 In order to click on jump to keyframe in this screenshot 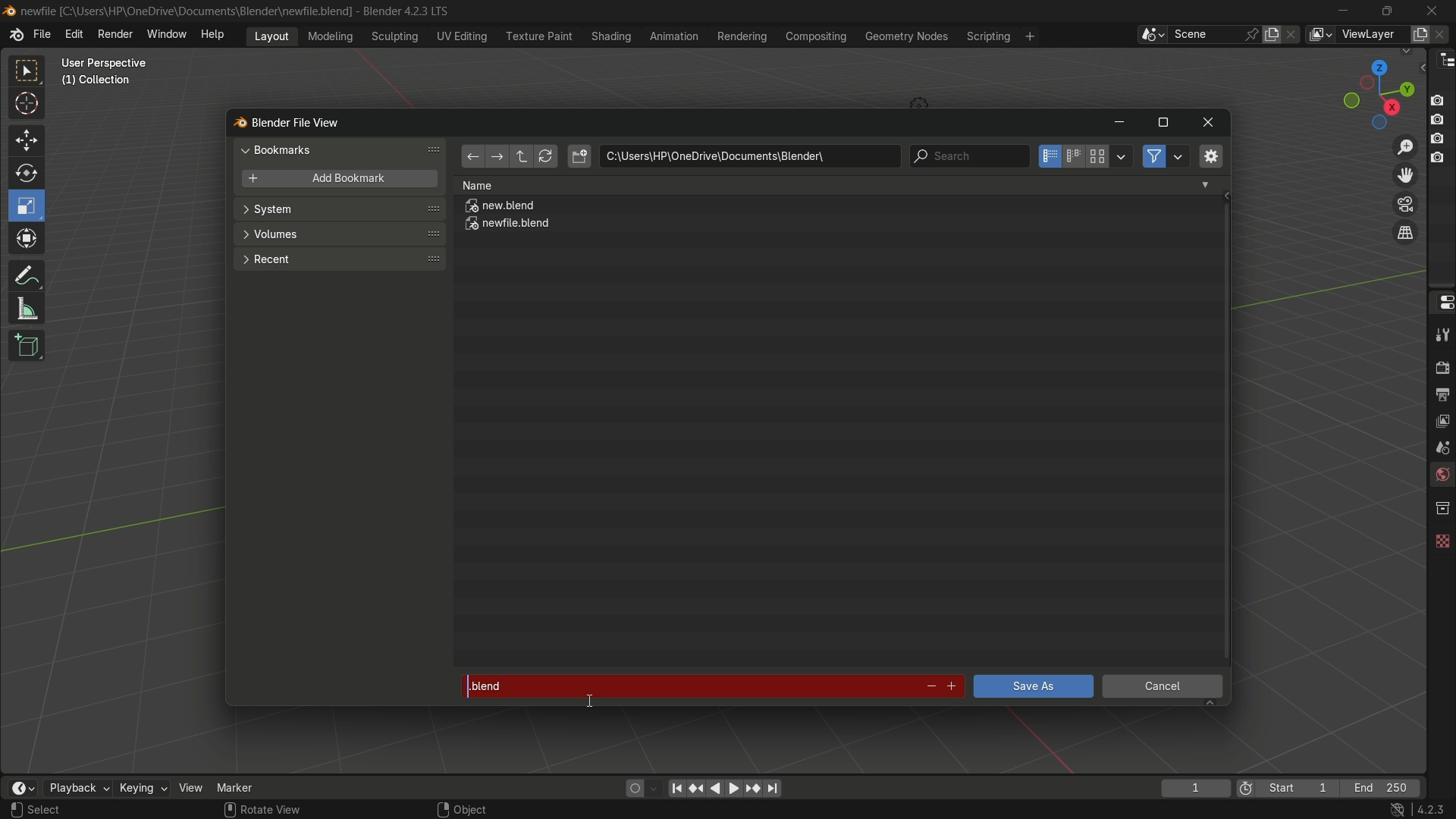, I will do `click(697, 786)`.